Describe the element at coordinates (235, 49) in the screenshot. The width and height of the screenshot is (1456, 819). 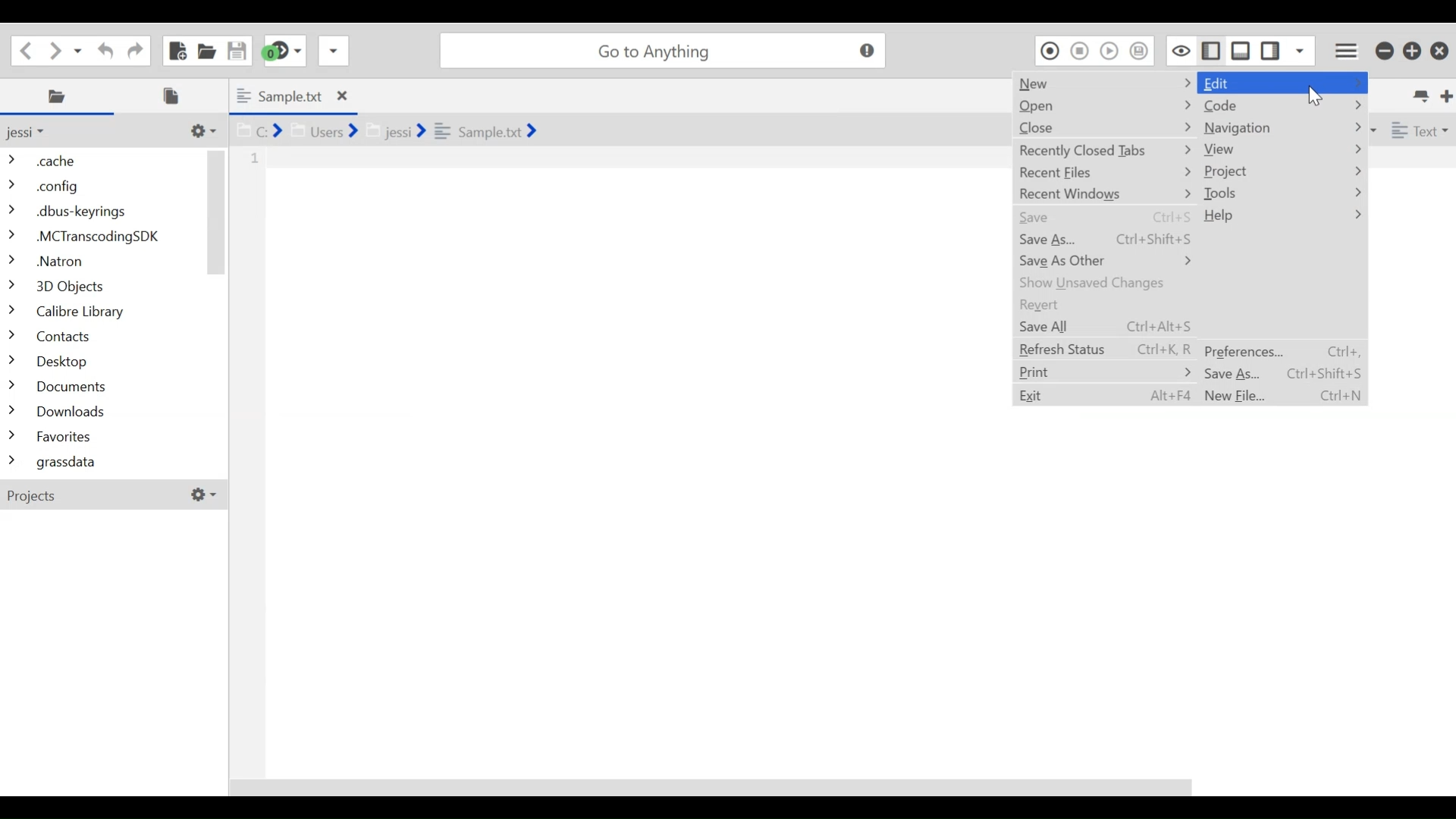
I see `Save file` at that location.